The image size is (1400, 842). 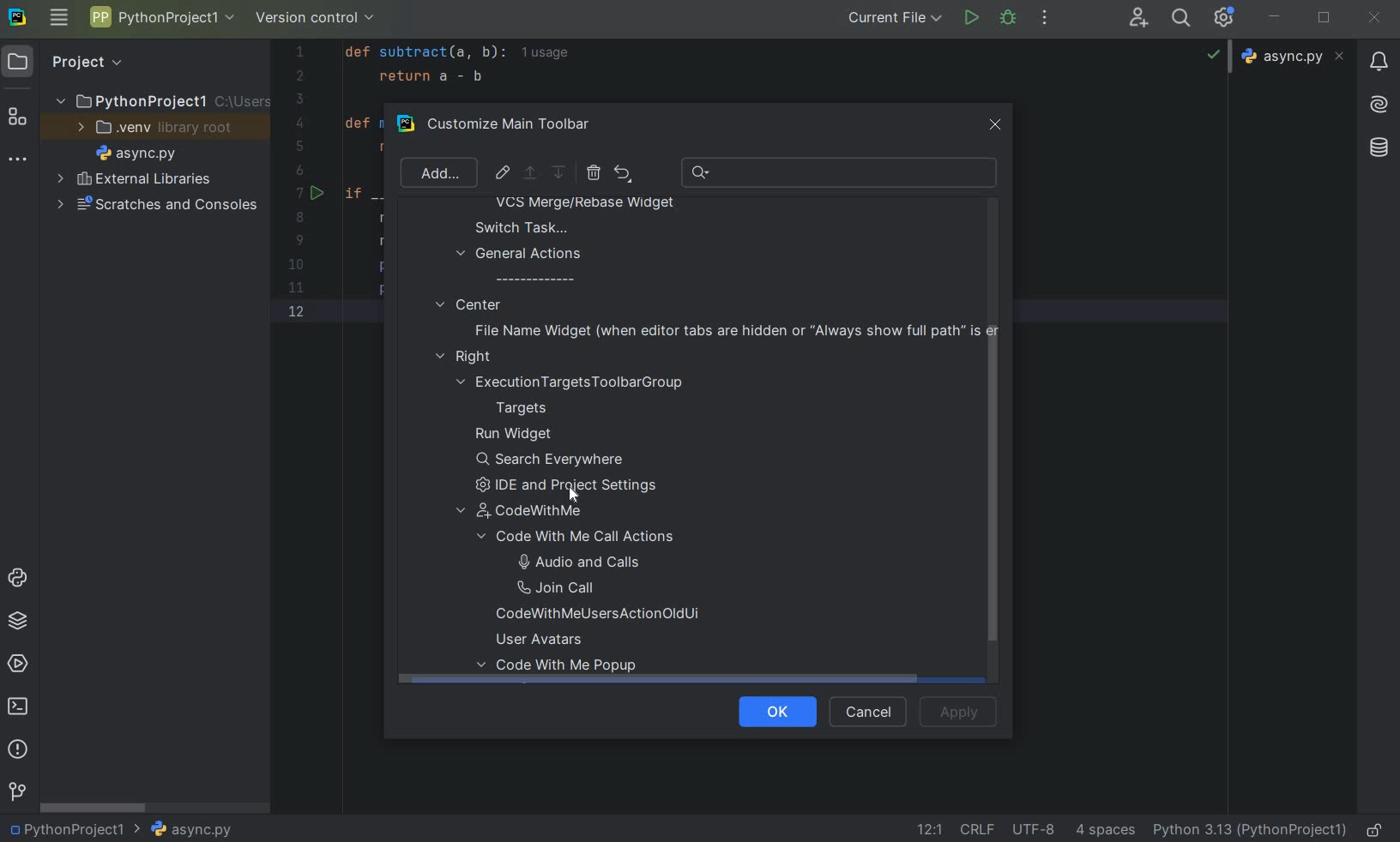 What do you see at coordinates (973, 19) in the screenshot?
I see `RUN` at bounding box center [973, 19].